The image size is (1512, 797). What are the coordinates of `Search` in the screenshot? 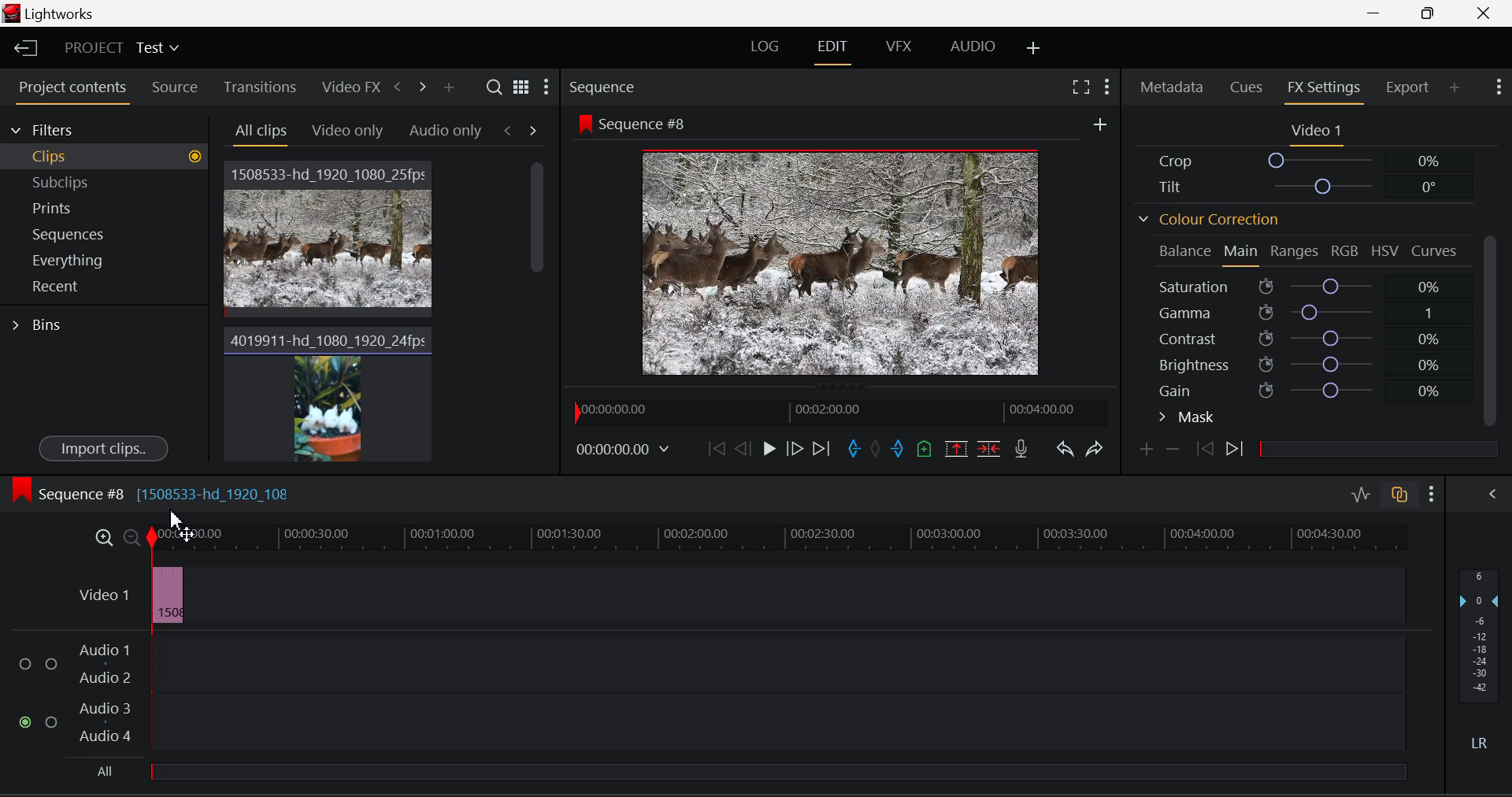 It's located at (492, 87).